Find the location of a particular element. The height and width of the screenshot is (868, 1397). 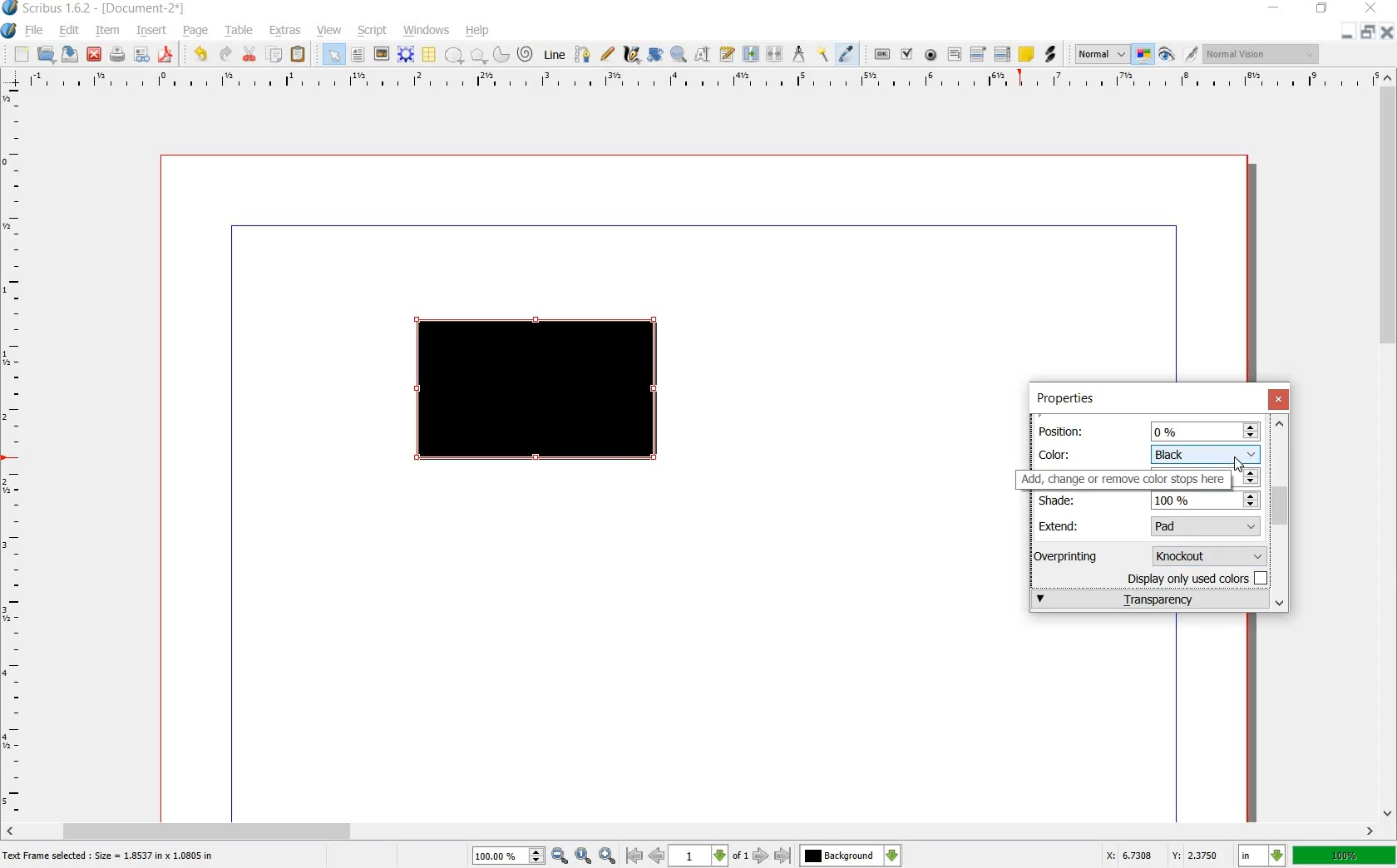

select the image preview quality is located at coordinates (1102, 55).